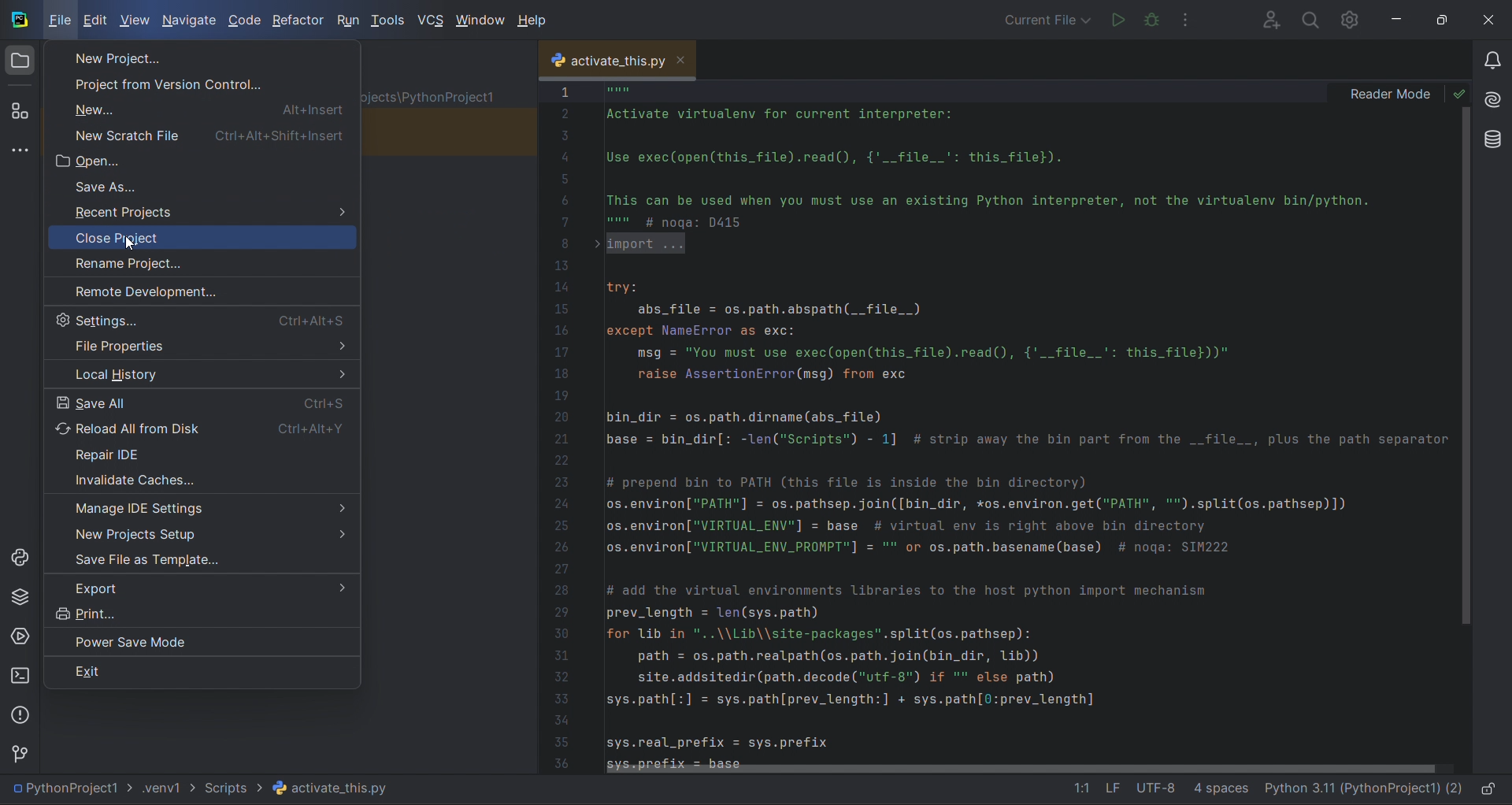  Describe the element at coordinates (197, 236) in the screenshot. I see `close project` at that location.